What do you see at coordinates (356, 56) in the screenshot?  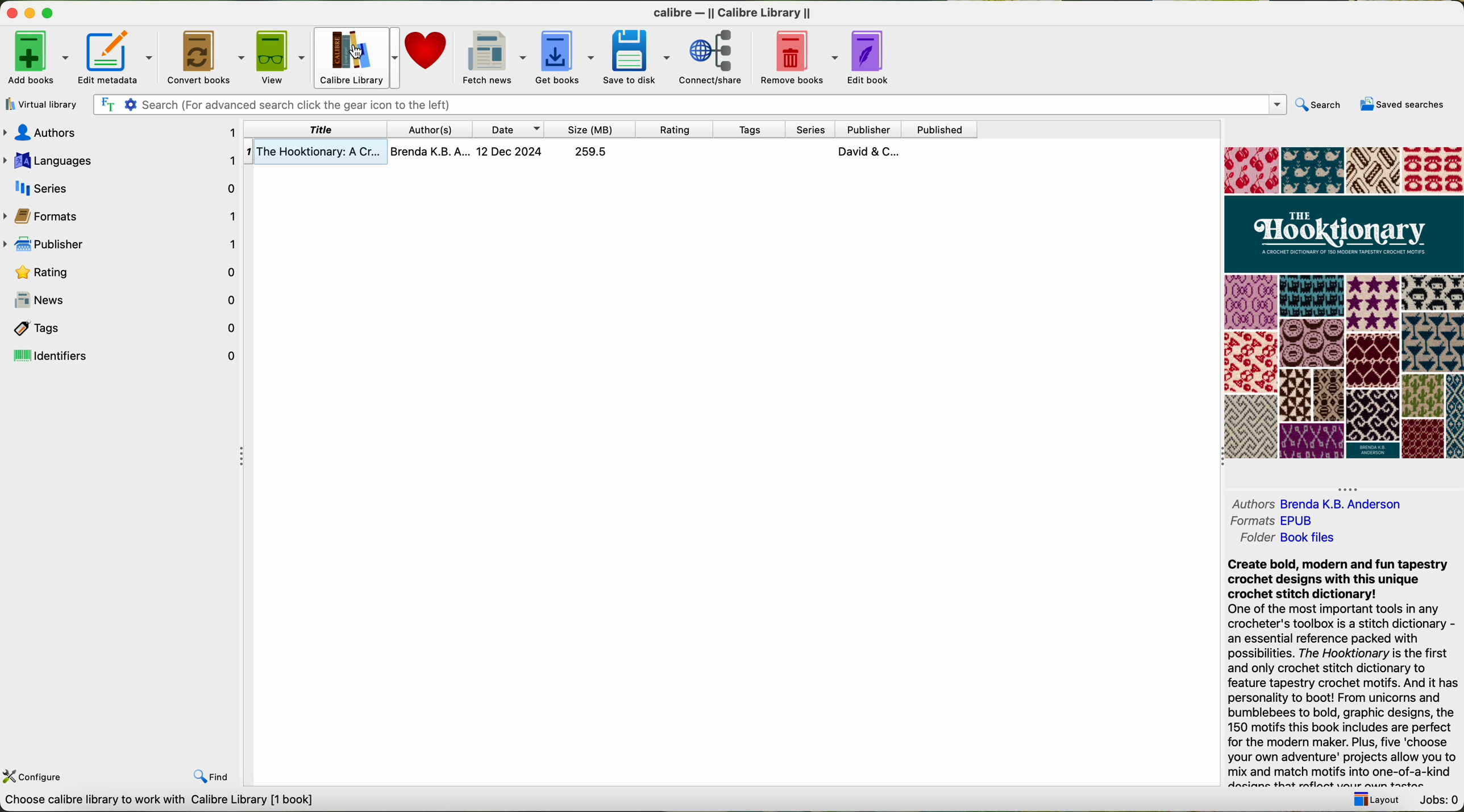 I see `Calibre library` at bounding box center [356, 56].